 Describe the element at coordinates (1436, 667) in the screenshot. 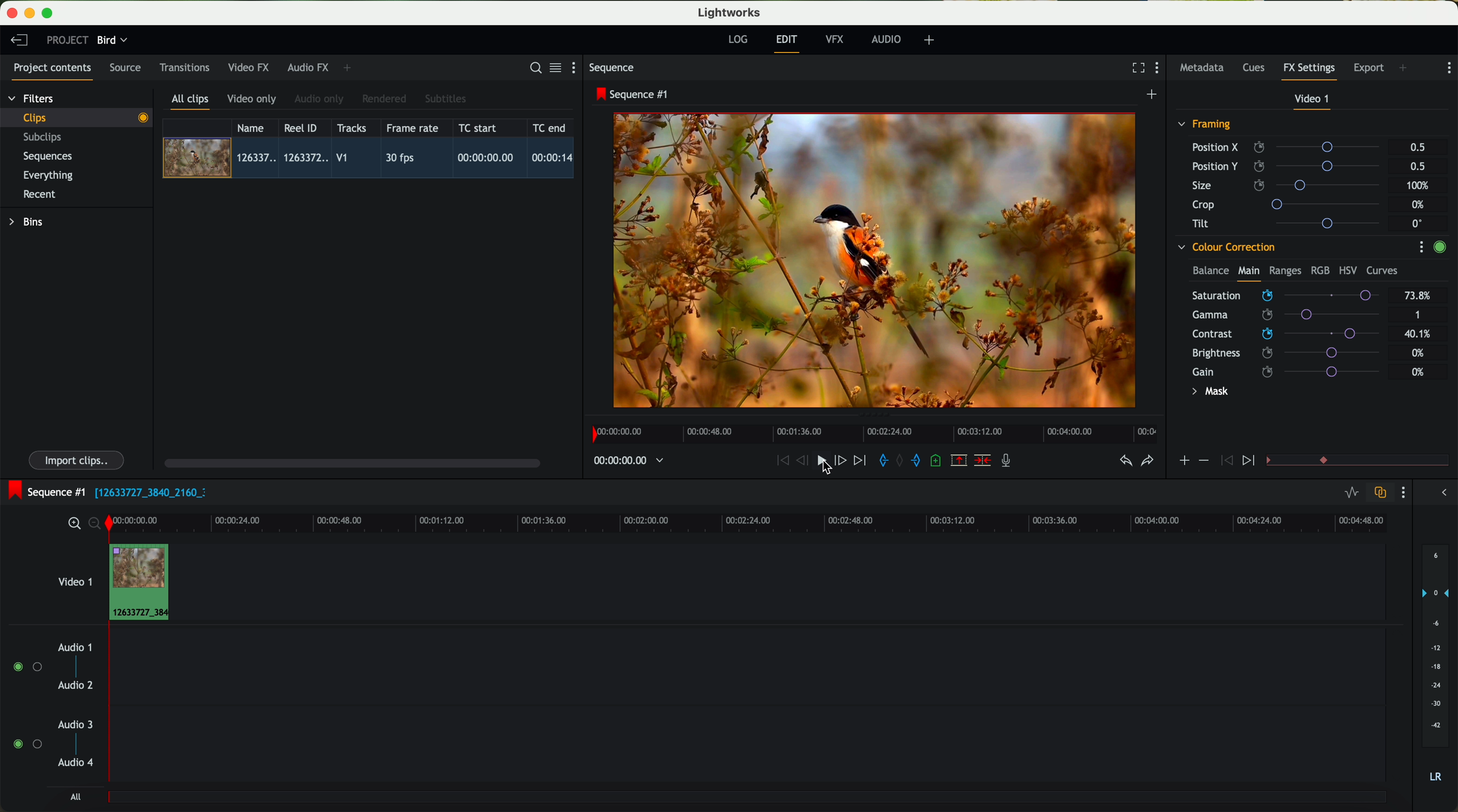

I see `audio output level (d/B)` at that location.